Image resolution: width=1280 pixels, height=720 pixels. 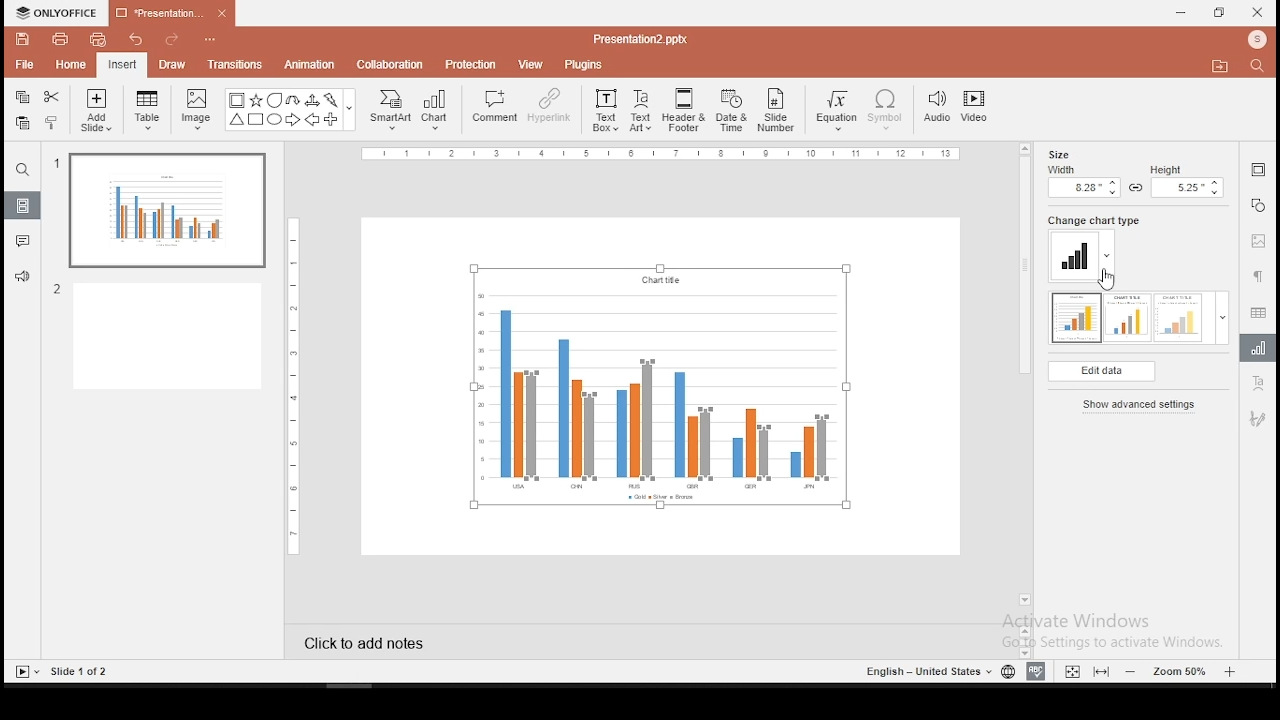 I want to click on draw, so click(x=172, y=65).